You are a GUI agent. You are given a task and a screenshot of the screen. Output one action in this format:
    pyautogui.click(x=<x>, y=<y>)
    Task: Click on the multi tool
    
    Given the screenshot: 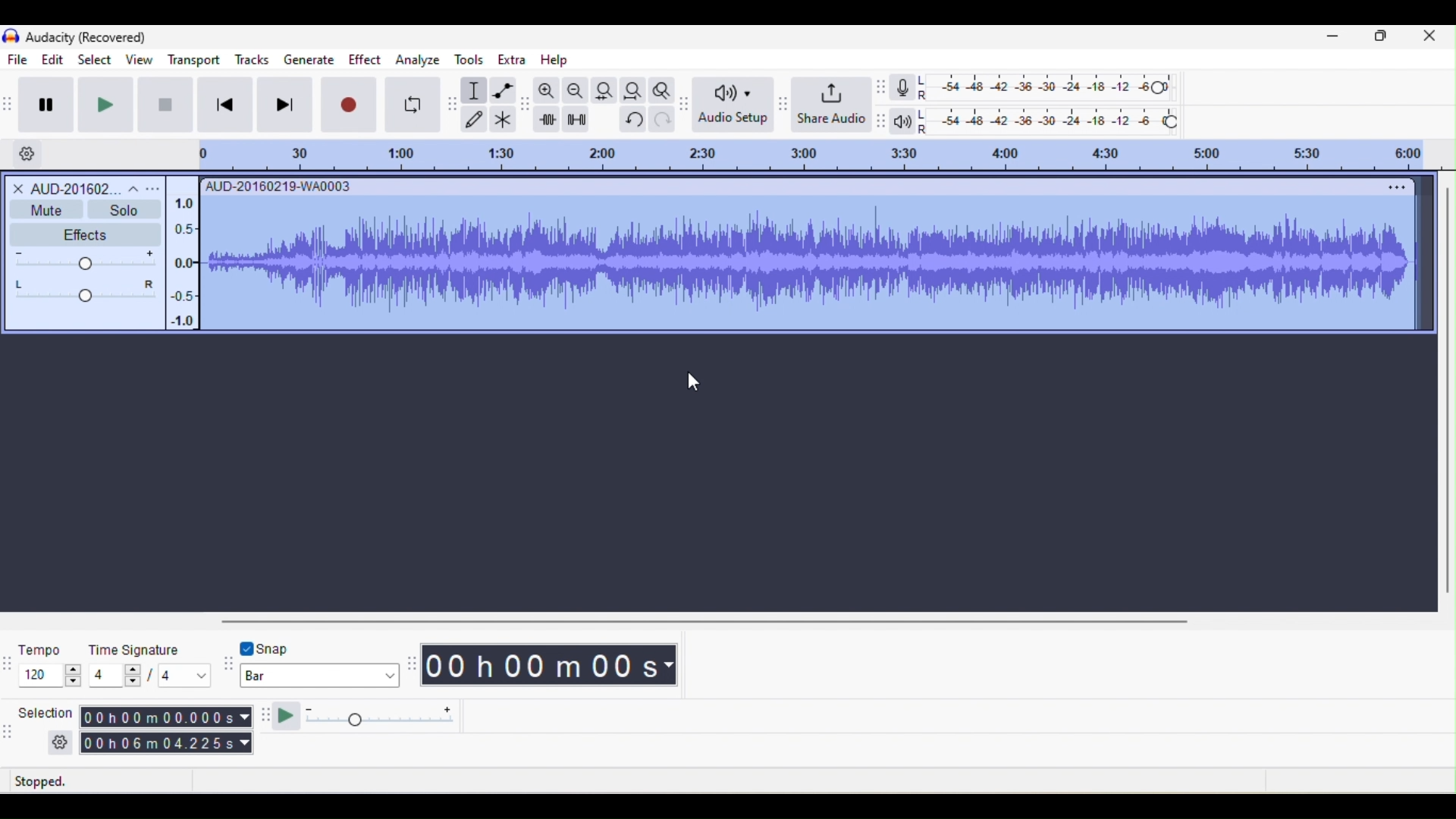 What is the action you would take?
    pyautogui.click(x=503, y=119)
    